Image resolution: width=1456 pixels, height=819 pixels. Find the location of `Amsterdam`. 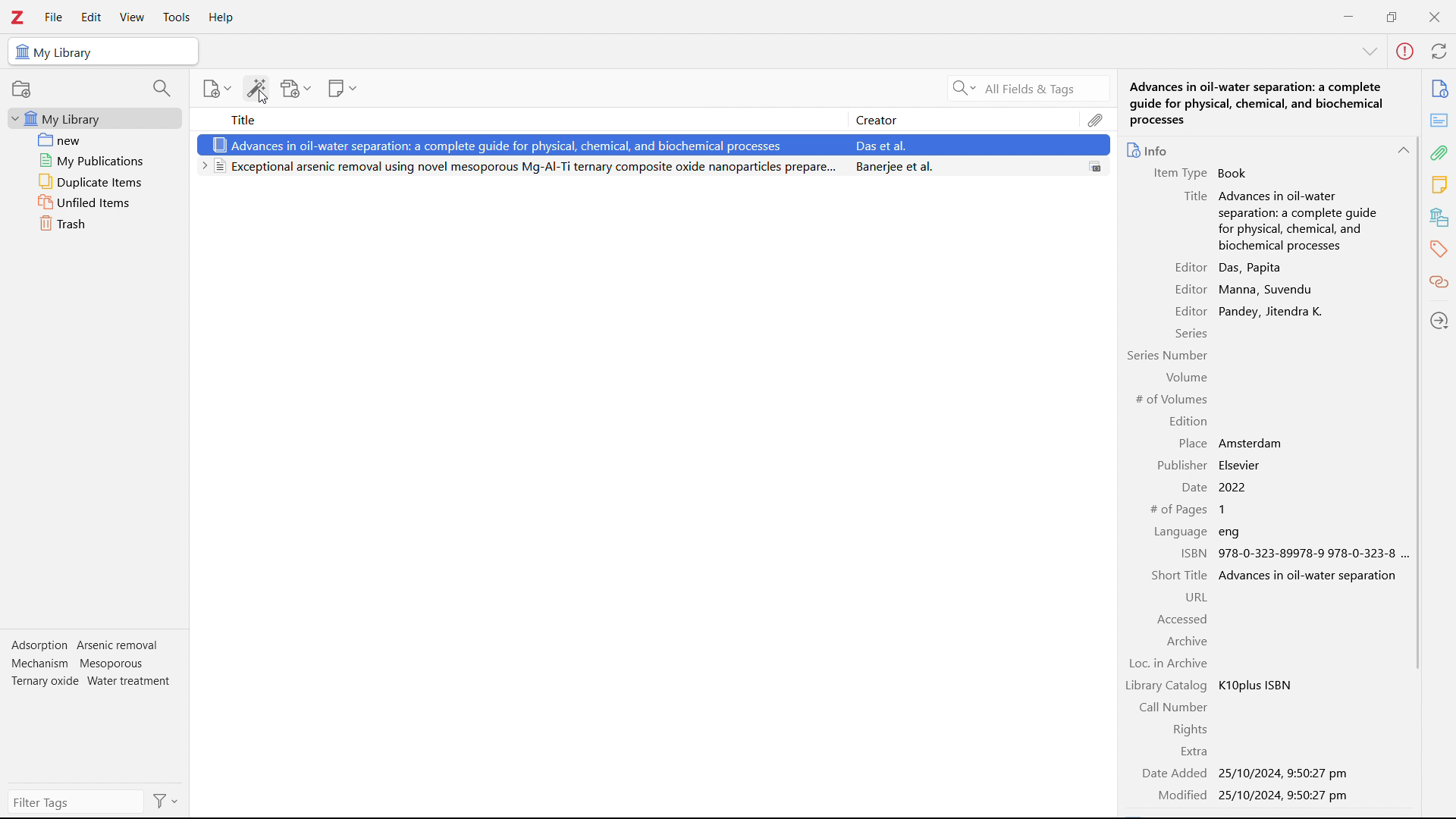

Amsterdam is located at coordinates (1254, 444).